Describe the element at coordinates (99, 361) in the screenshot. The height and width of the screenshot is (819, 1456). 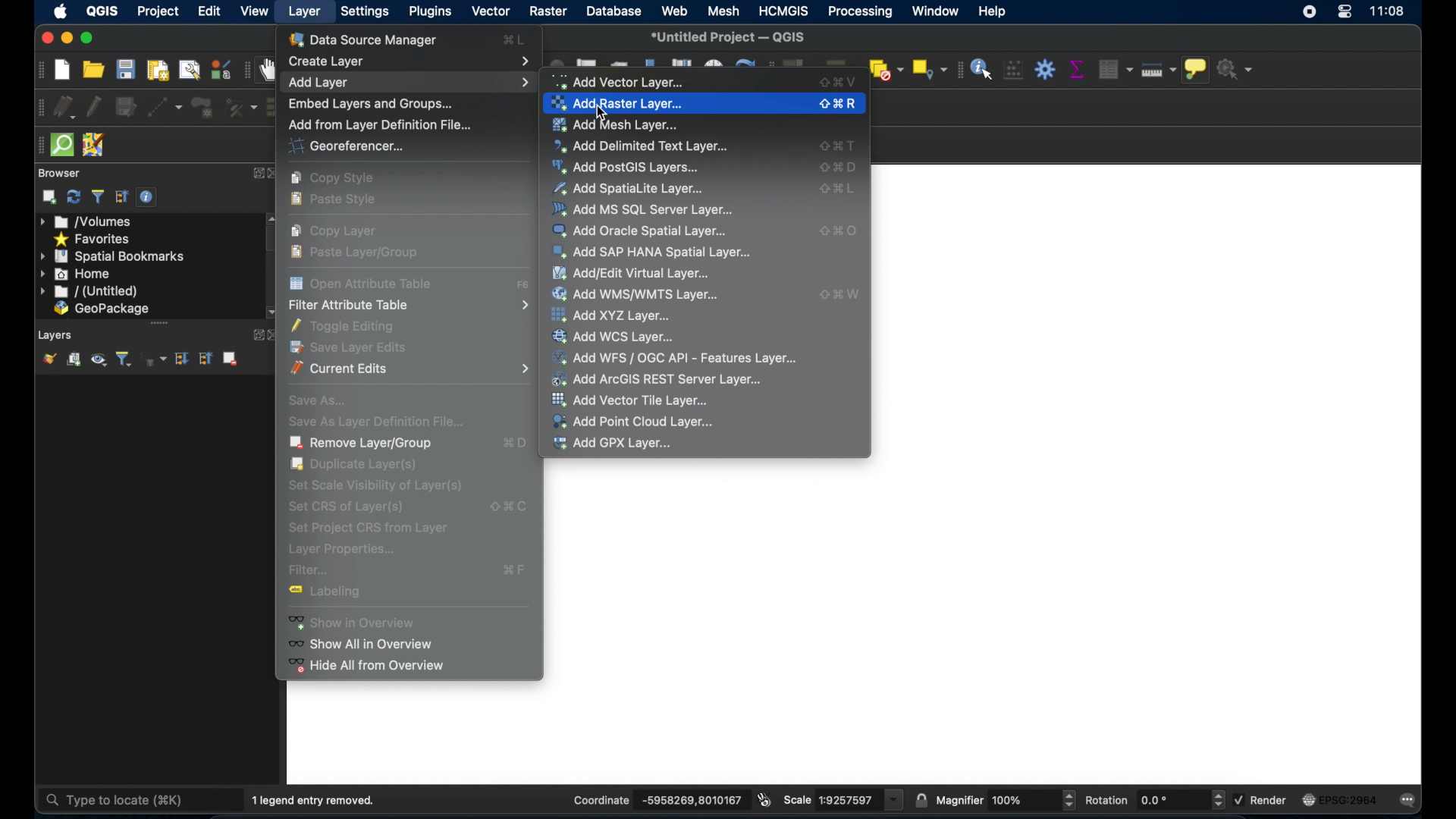
I see `manage map theme` at that location.